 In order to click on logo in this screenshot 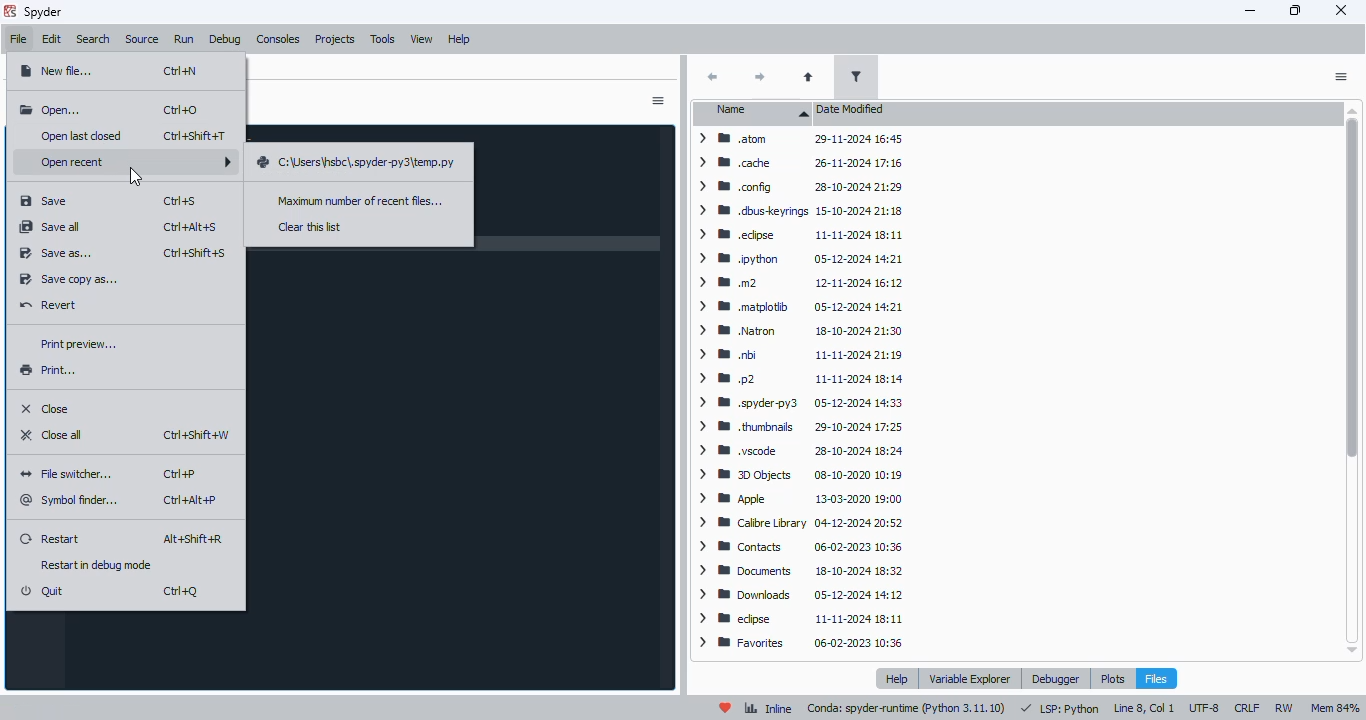, I will do `click(9, 11)`.